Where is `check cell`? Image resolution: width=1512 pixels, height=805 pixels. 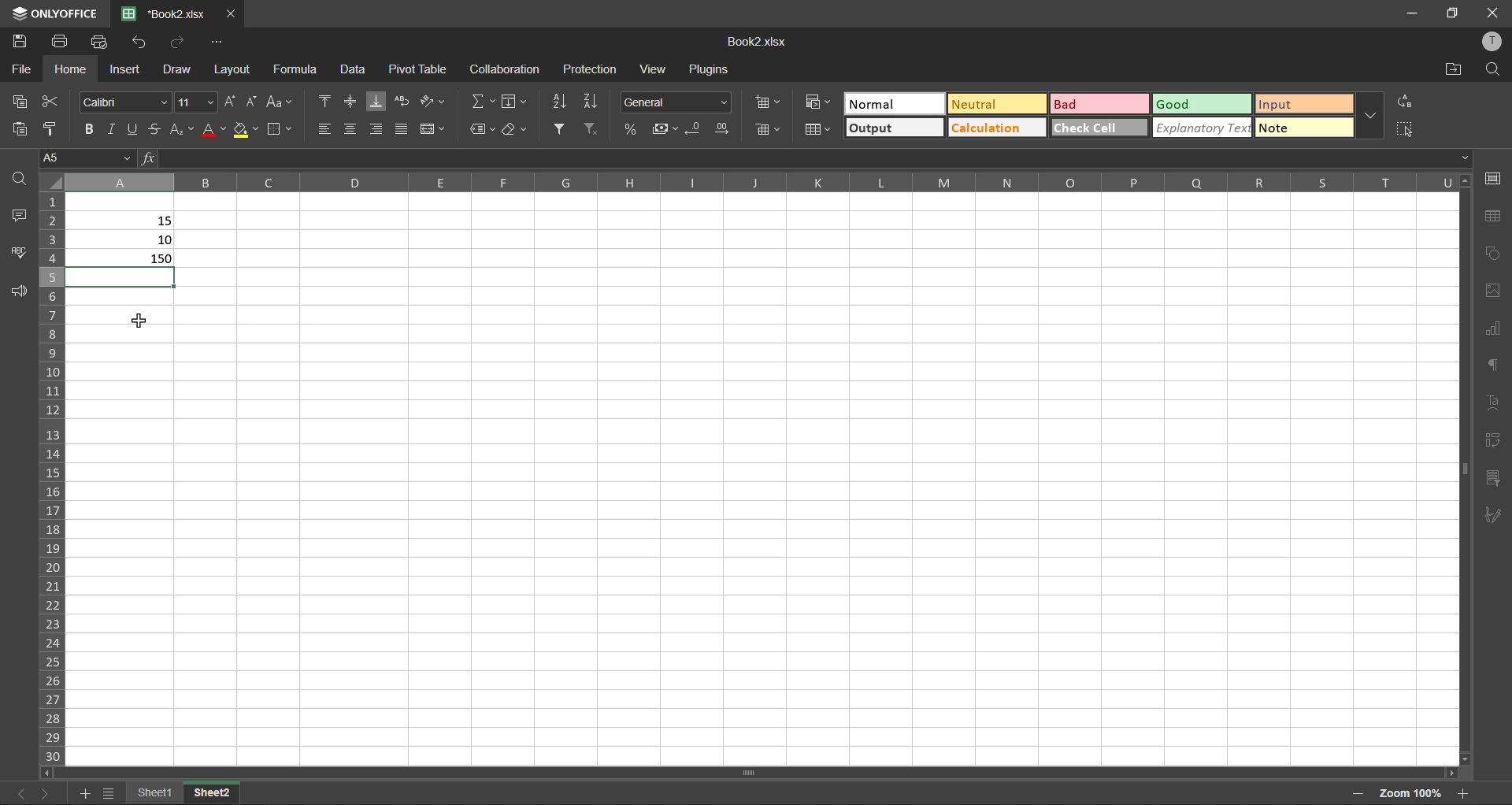
check cell is located at coordinates (1099, 127).